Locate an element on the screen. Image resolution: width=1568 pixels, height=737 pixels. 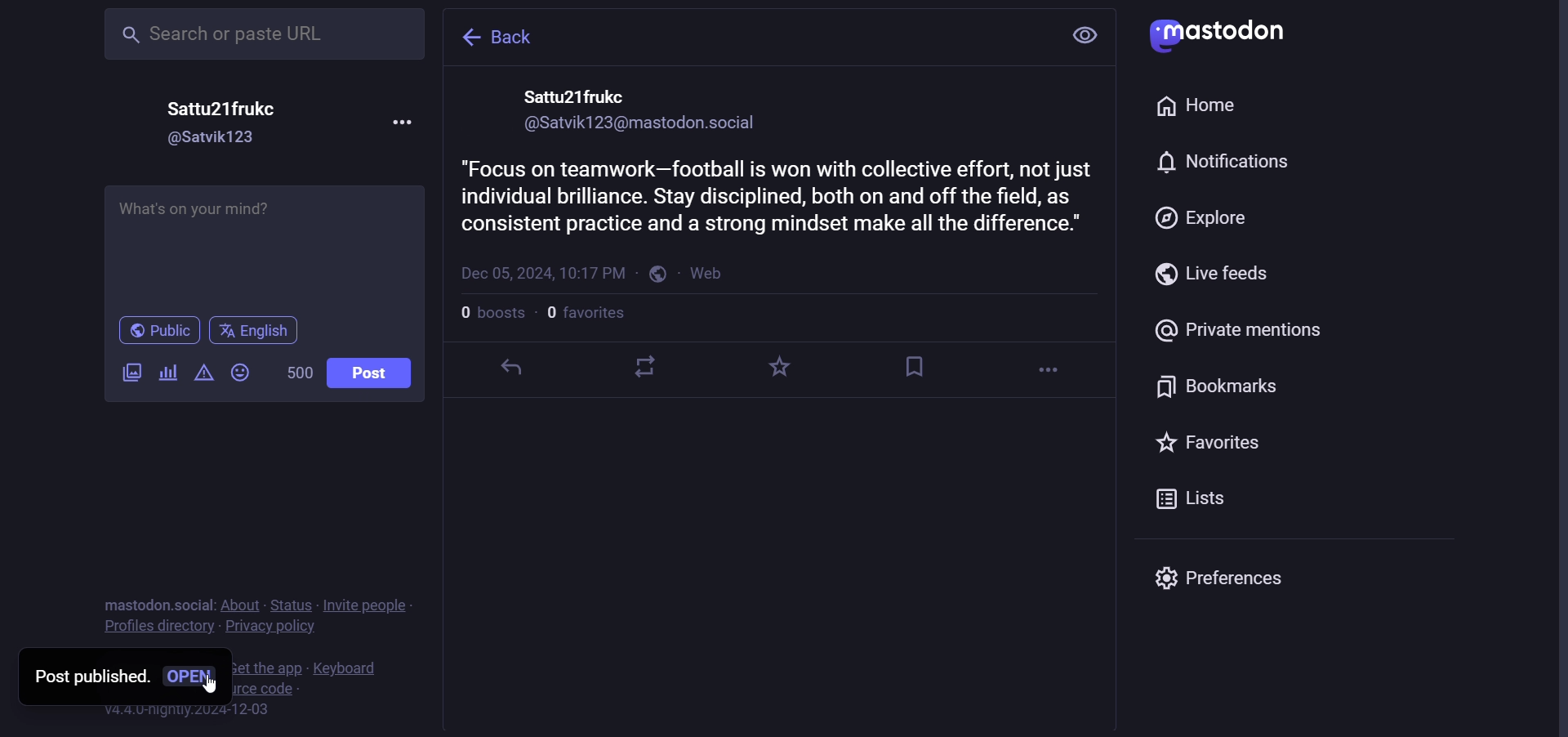
profiles is located at coordinates (154, 628).